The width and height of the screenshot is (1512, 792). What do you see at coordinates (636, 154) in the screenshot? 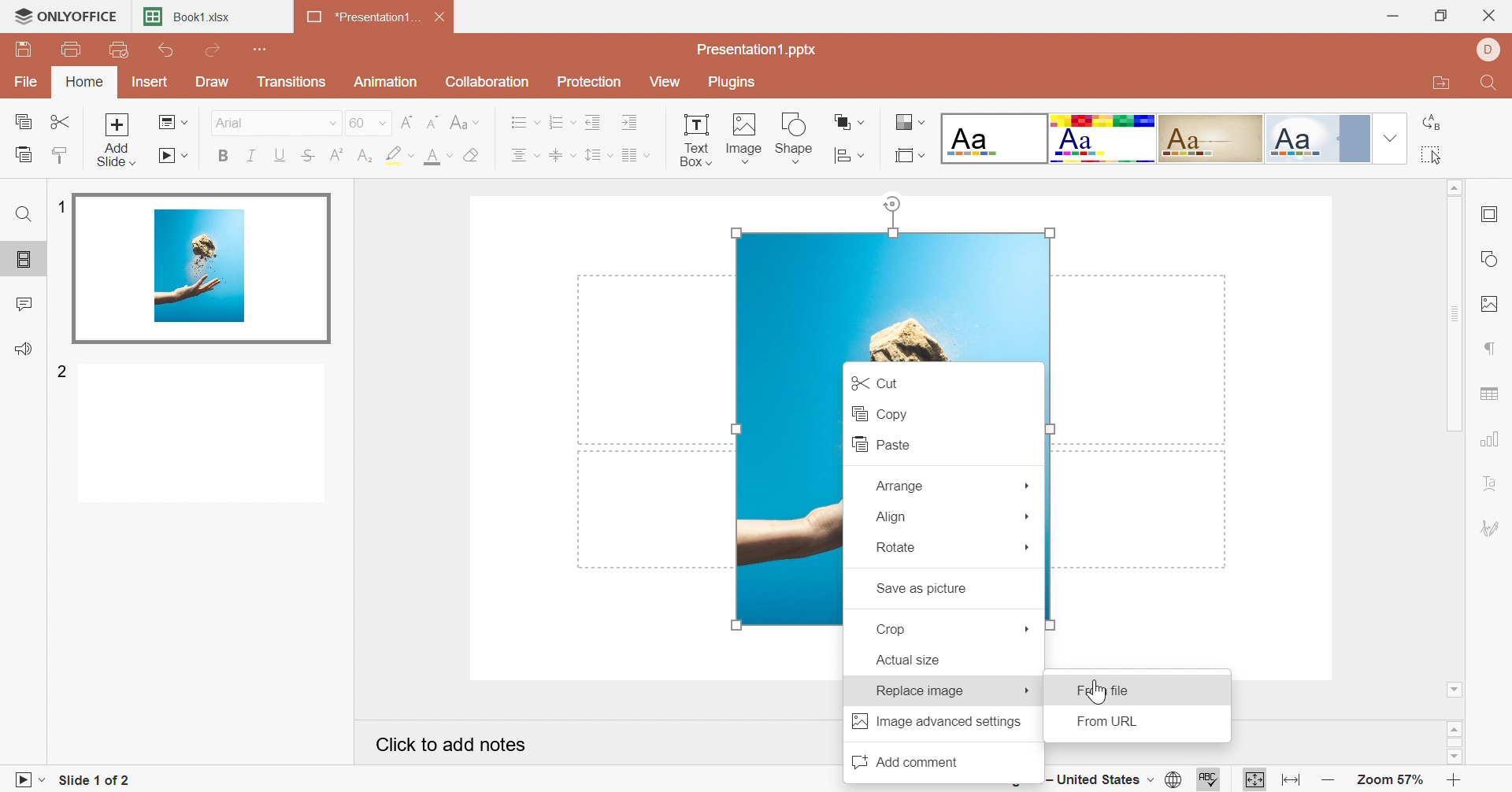
I see `Insert columns` at bounding box center [636, 154].